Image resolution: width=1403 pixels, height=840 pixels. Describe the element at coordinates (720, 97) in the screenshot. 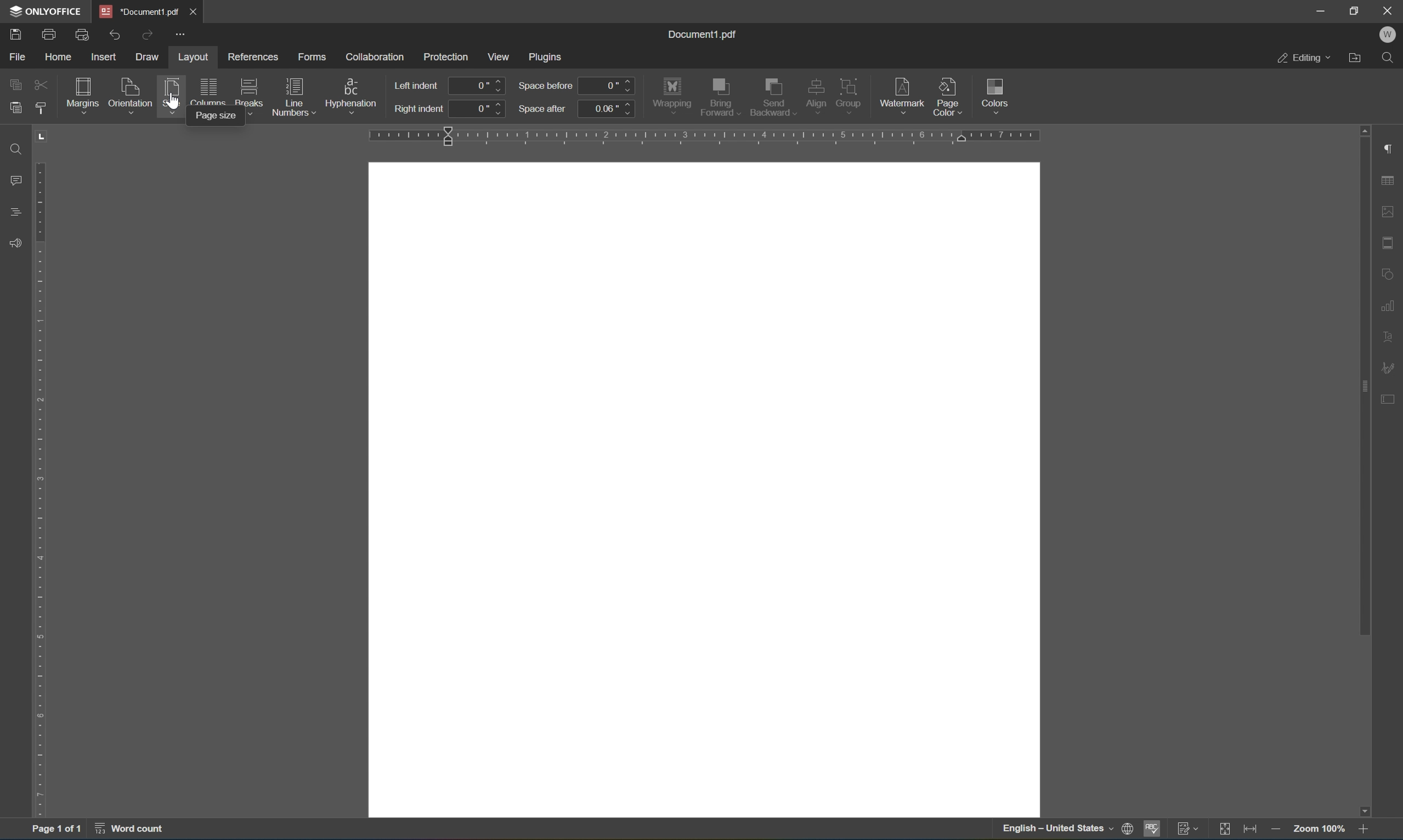

I see `bring forward` at that location.